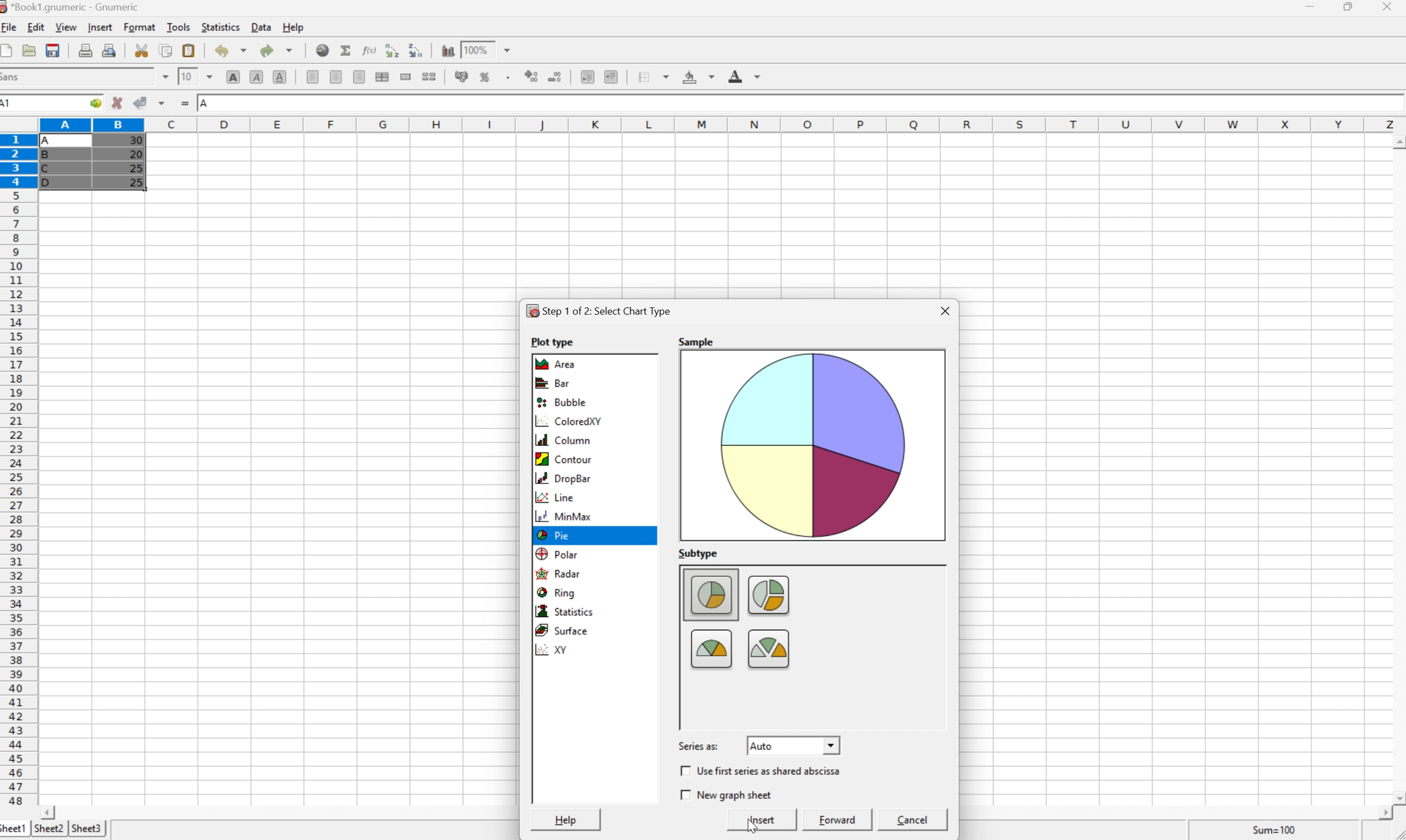 This screenshot has height=840, width=1406. Describe the element at coordinates (941, 571) in the screenshot. I see `Drop Down` at that location.